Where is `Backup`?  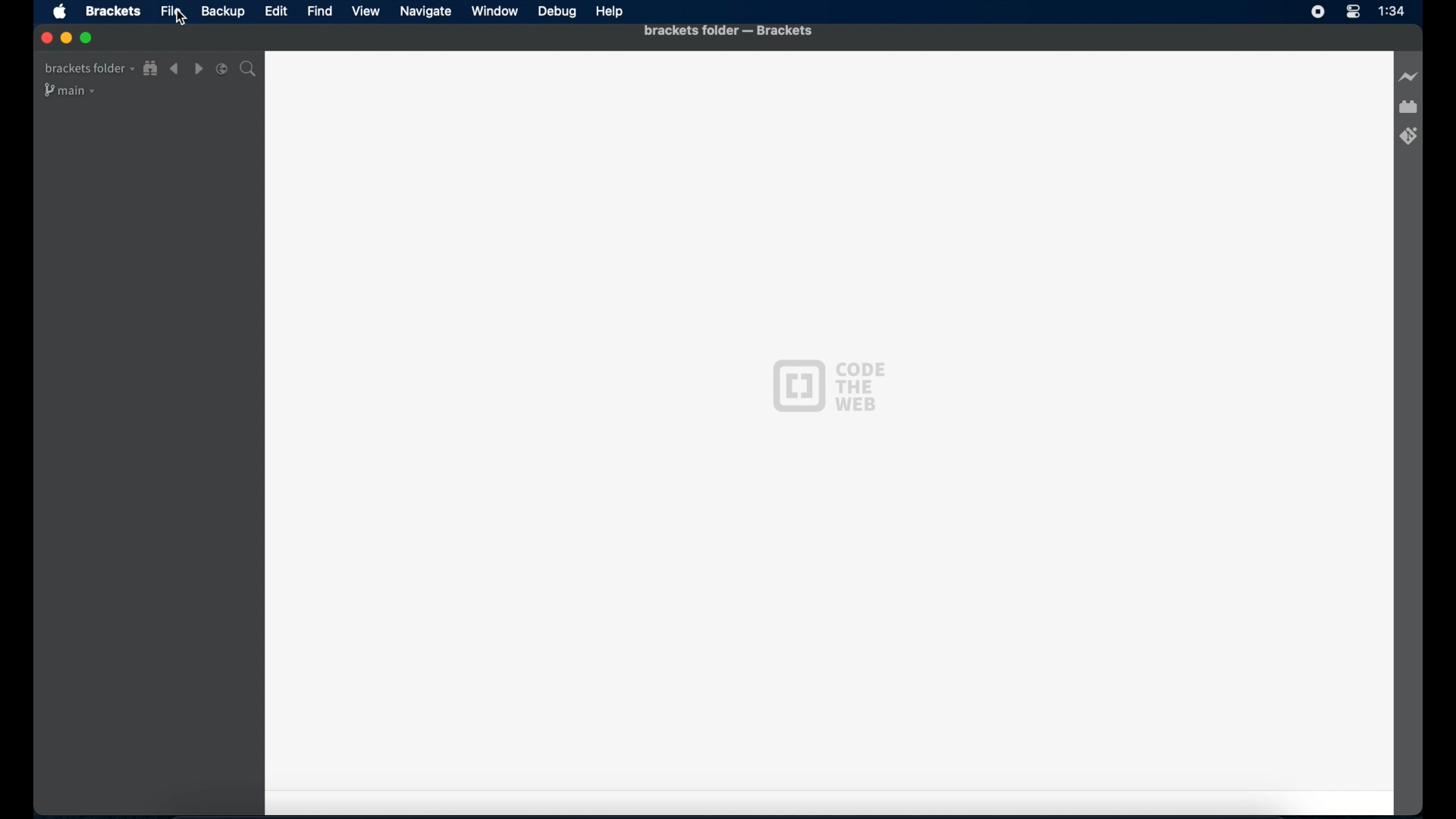 Backup is located at coordinates (222, 11).